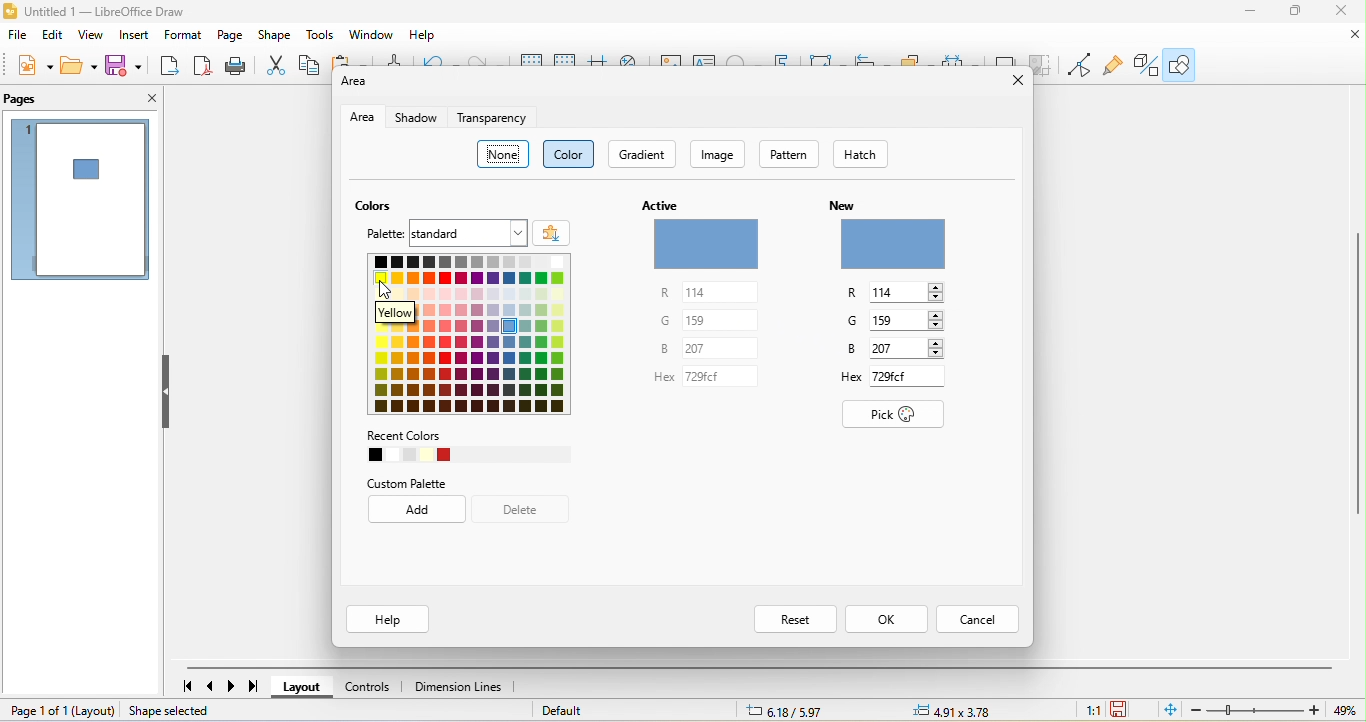  I want to click on minimize, so click(1250, 12).